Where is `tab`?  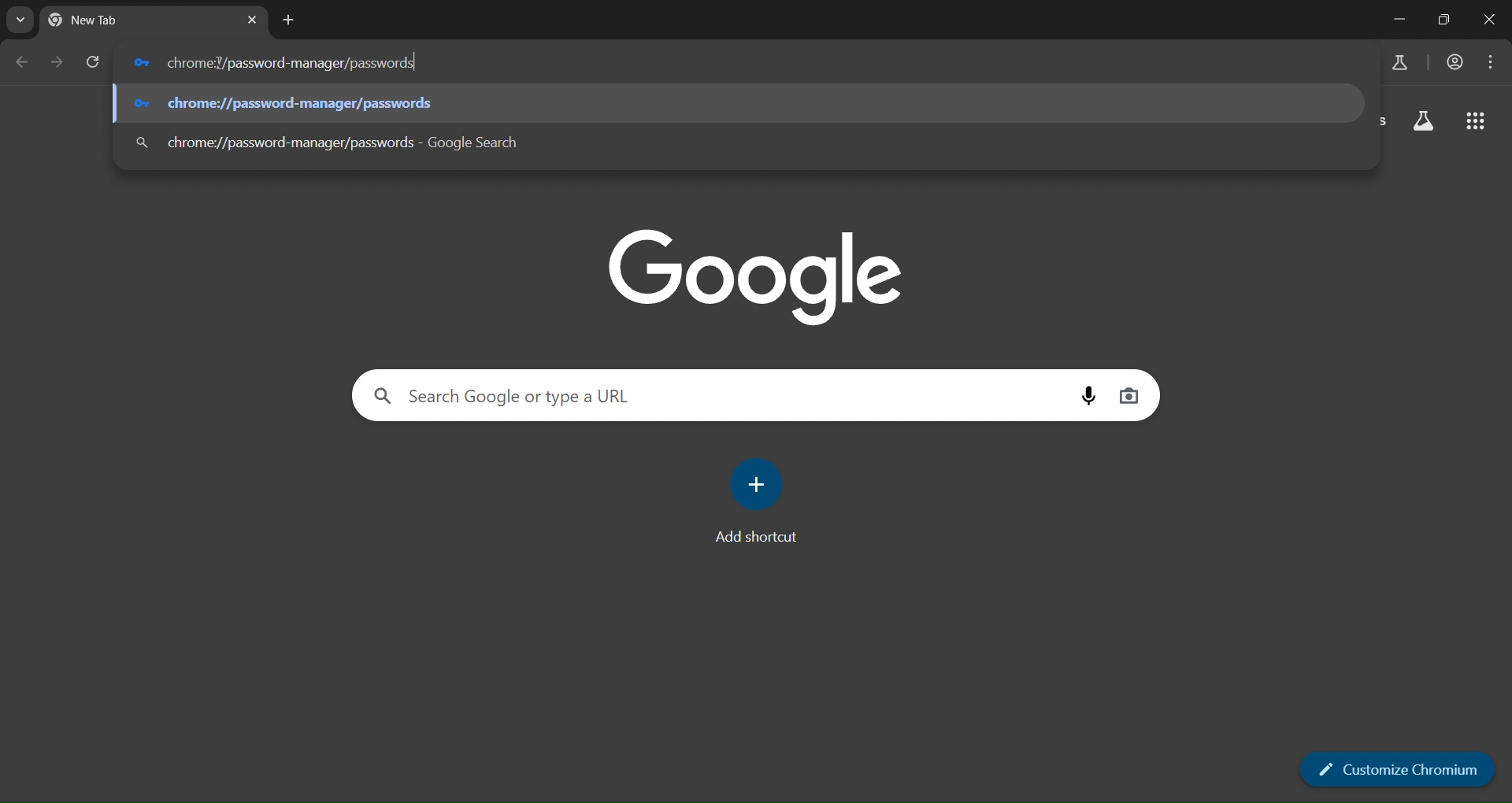 tab is located at coordinates (115, 20).